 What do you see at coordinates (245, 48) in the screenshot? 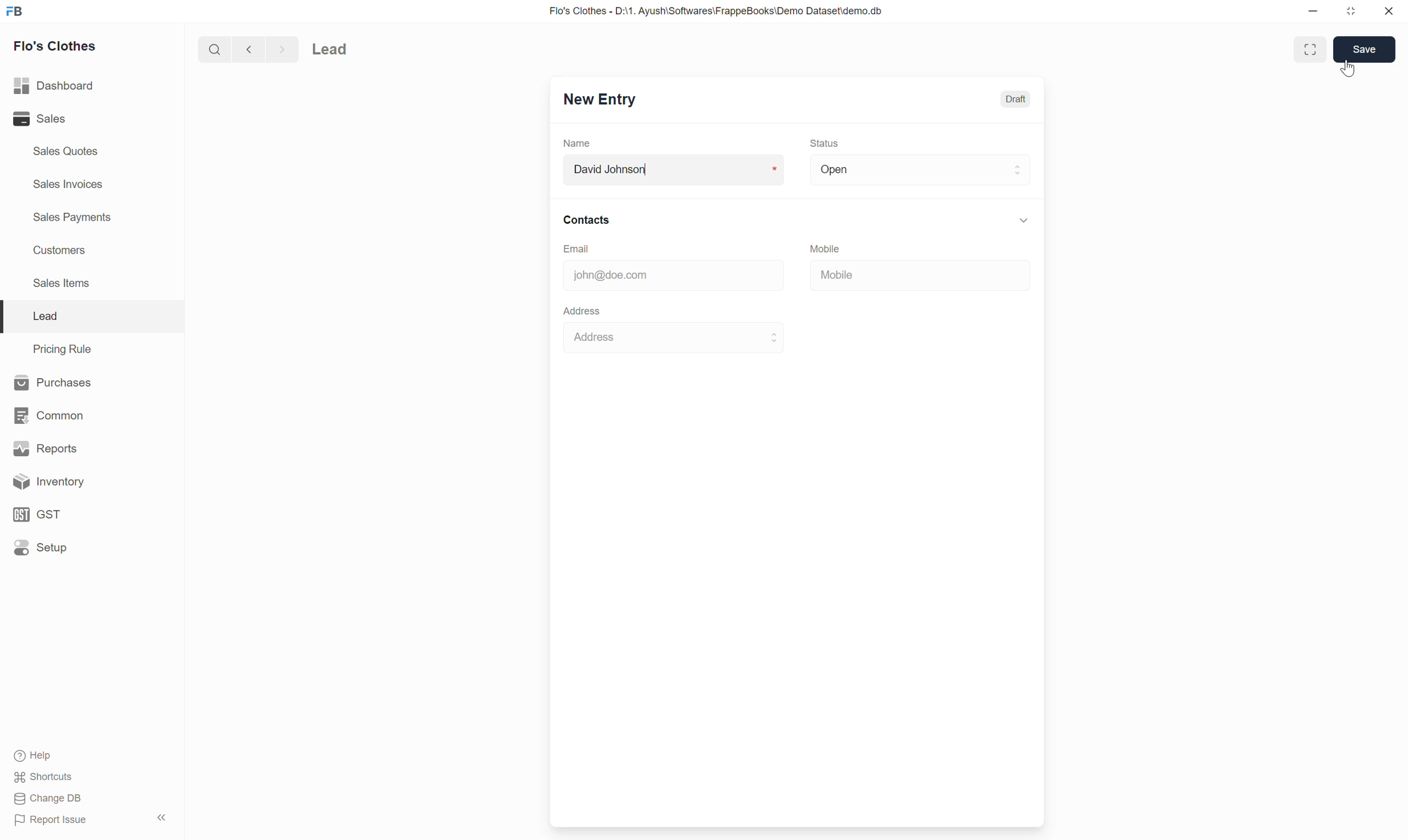
I see `Backward` at bounding box center [245, 48].